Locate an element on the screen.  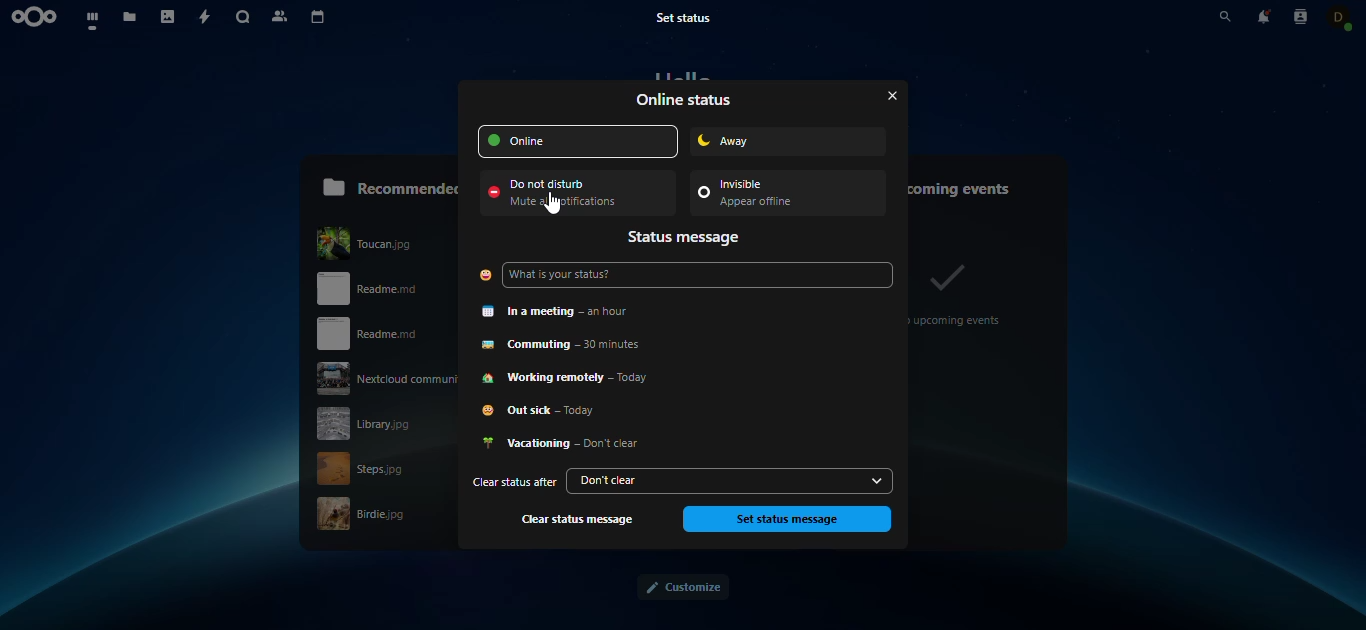
cursor is located at coordinates (550, 203).